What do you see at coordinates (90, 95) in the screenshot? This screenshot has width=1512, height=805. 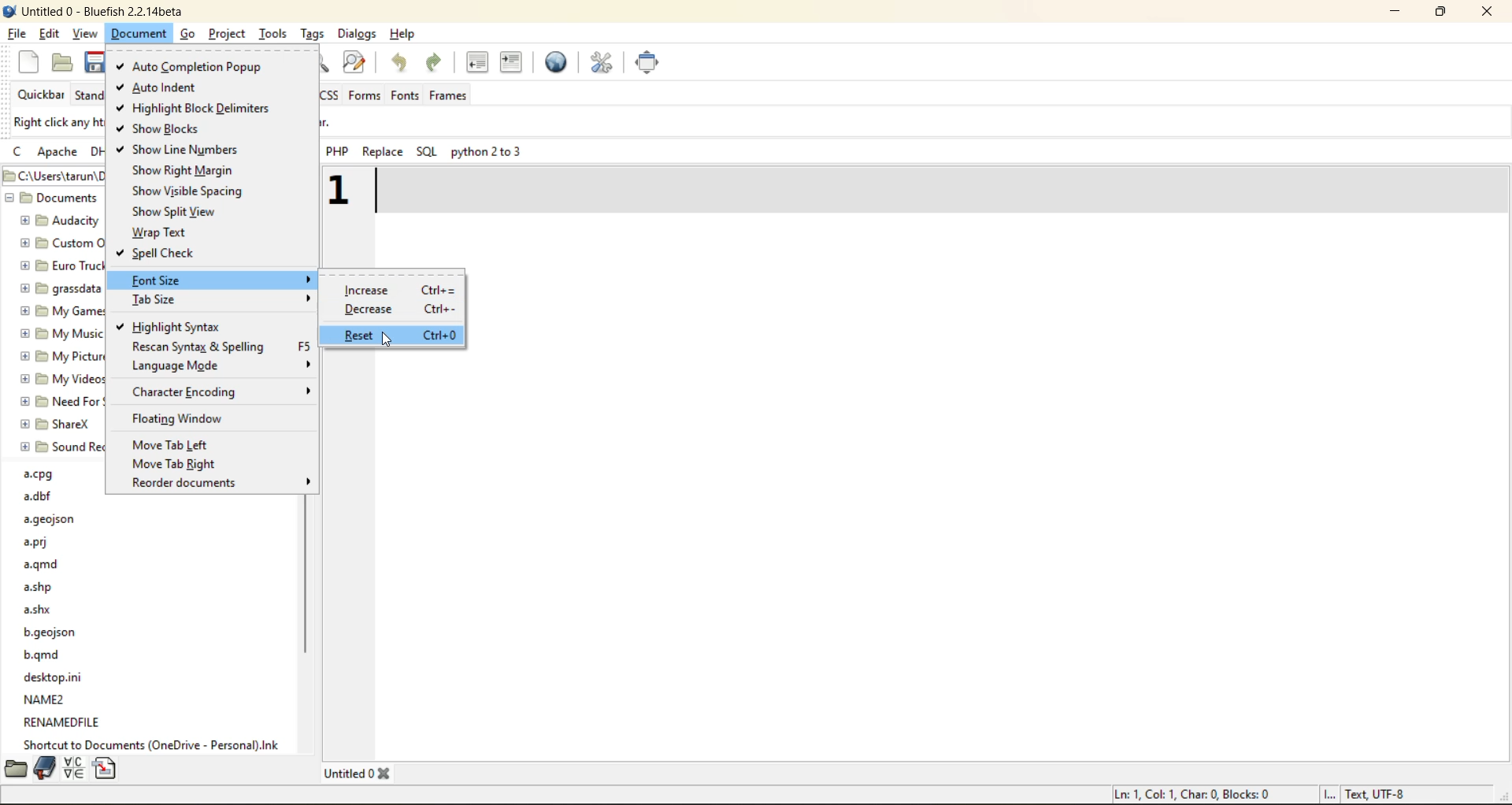 I see `standard` at bounding box center [90, 95].